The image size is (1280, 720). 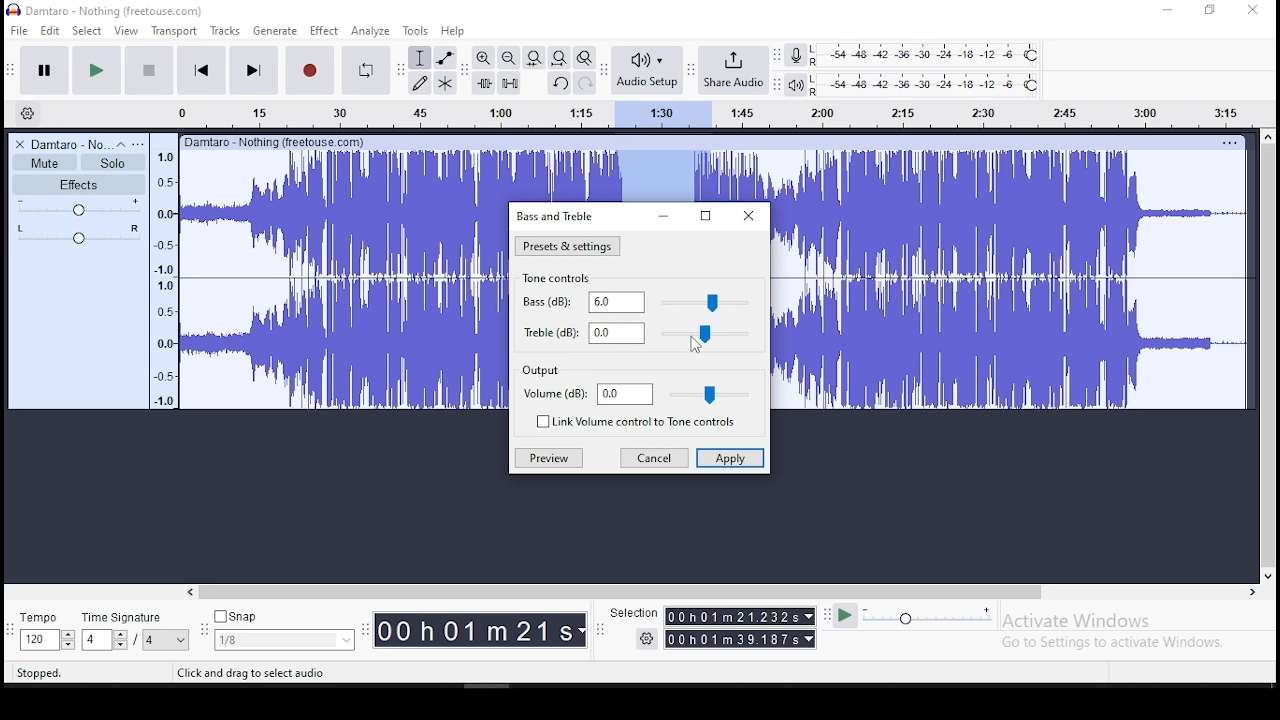 What do you see at coordinates (485, 83) in the screenshot?
I see `trim audio outside selection` at bounding box center [485, 83].